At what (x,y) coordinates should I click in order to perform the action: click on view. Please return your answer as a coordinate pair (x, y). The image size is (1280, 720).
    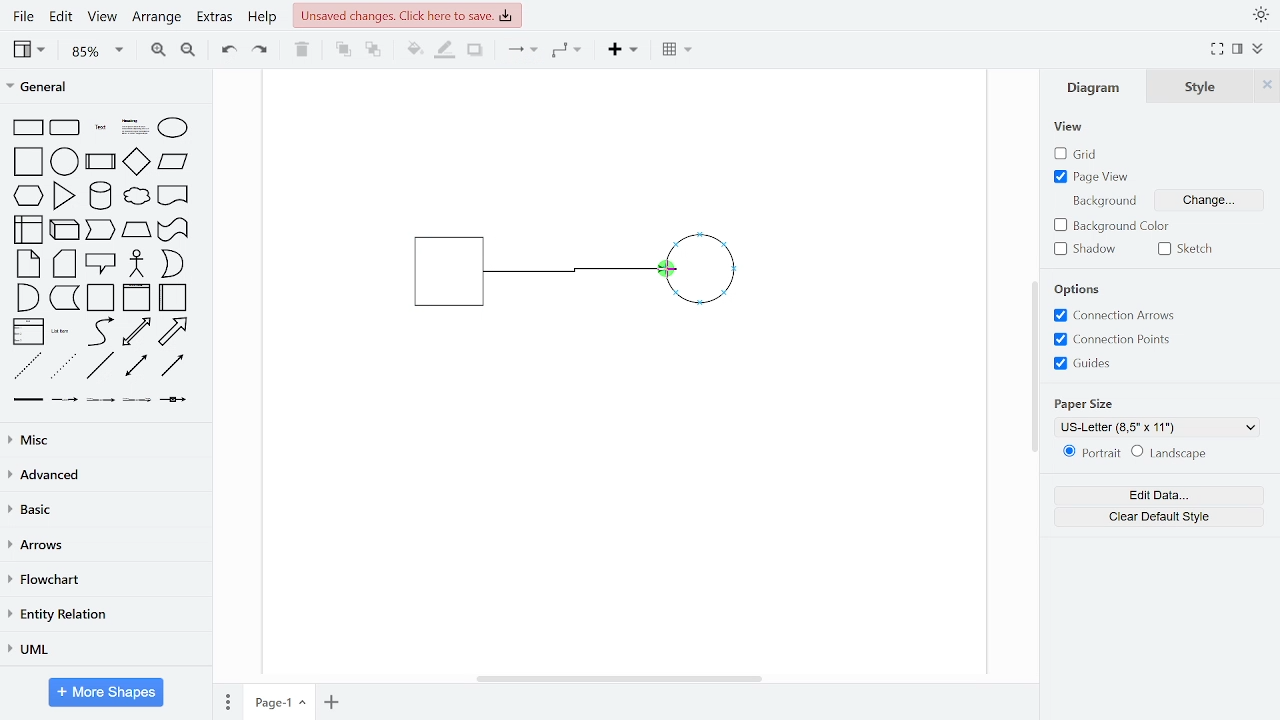
    Looking at the image, I should click on (1070, 128).